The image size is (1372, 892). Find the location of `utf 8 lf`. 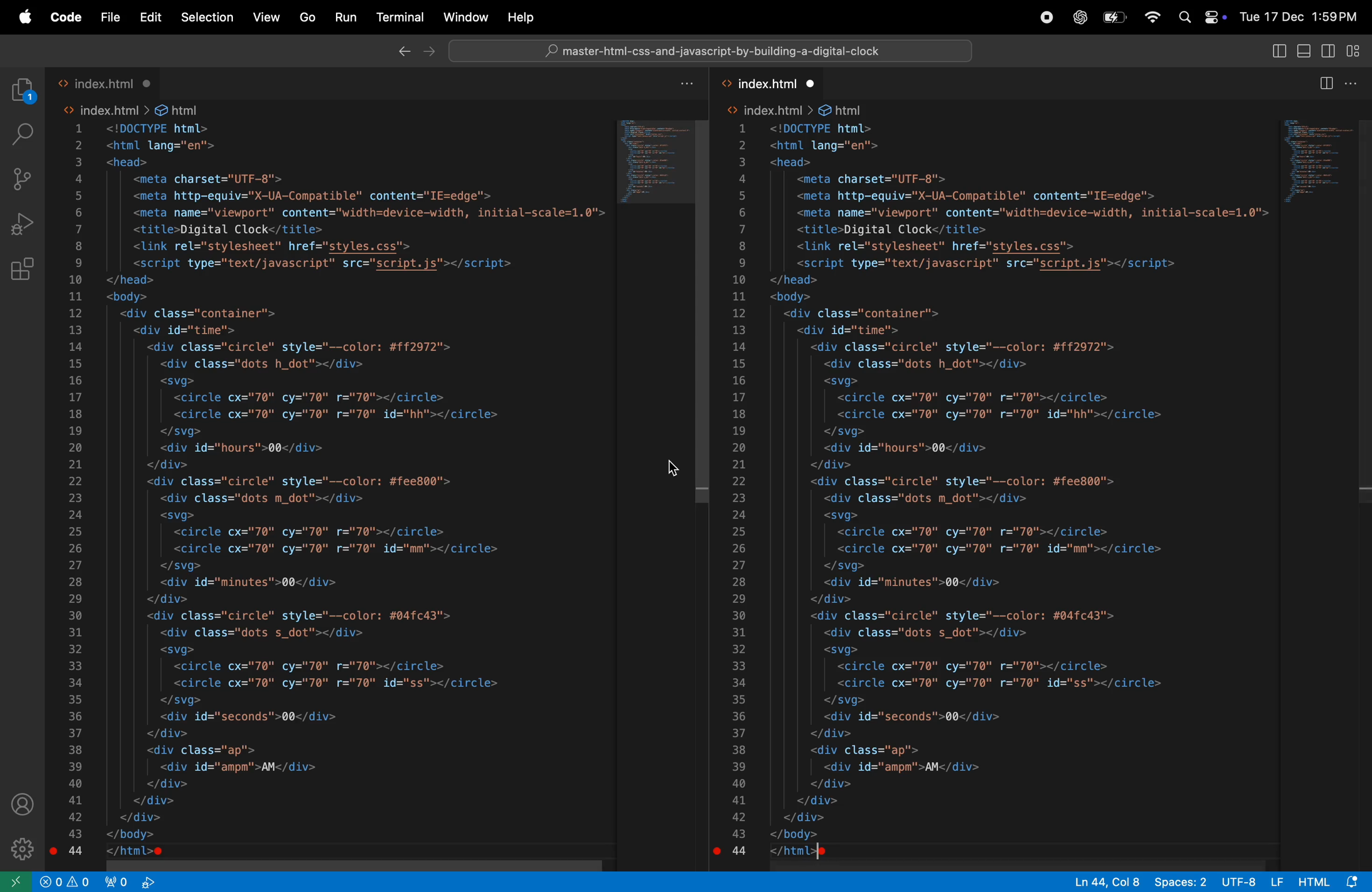

utf 8 lf is located at coordinates (1254, 880).